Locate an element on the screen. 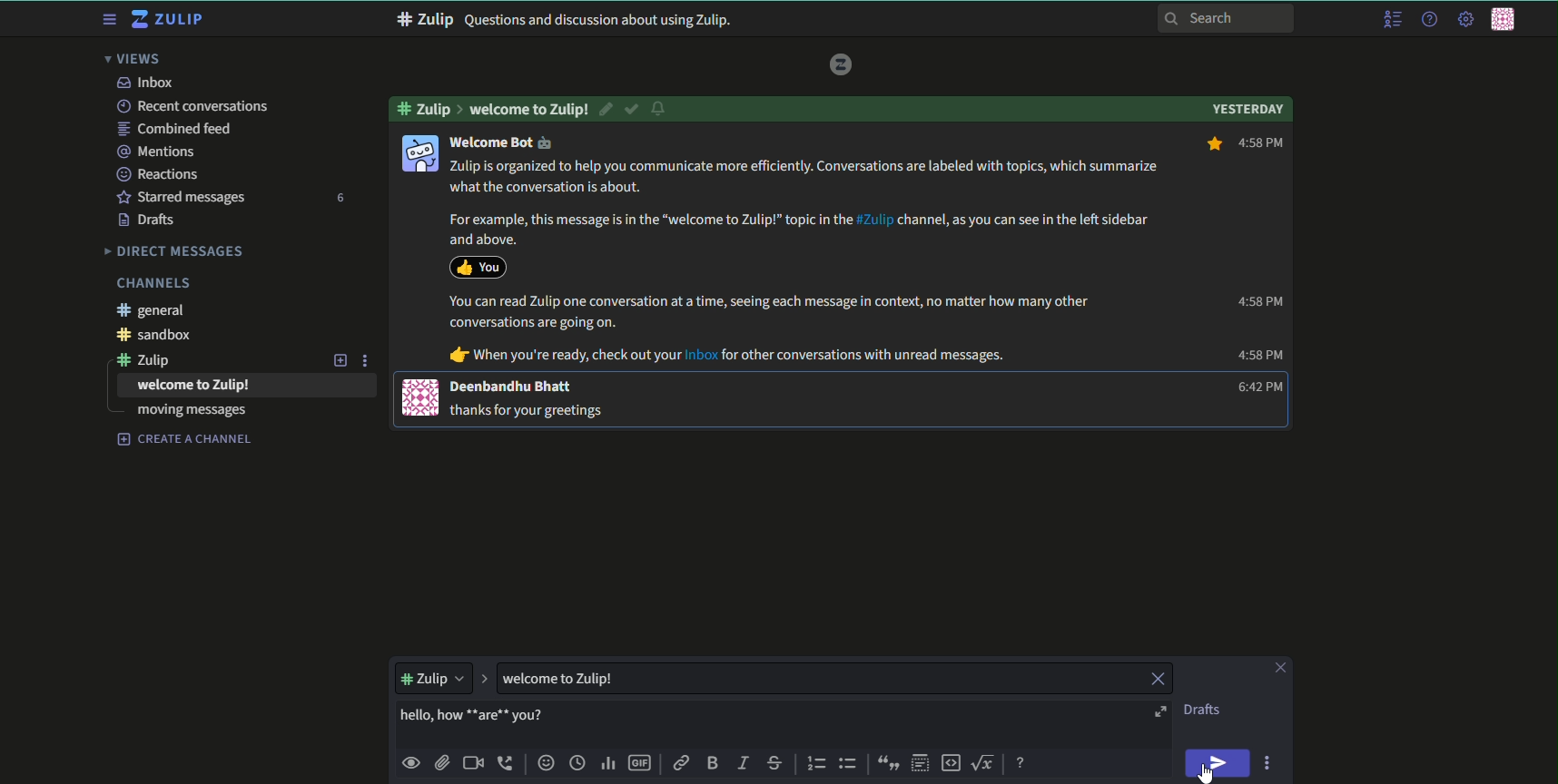 Image resolution: width=1558 pixels, height=784 pixels. resolved is located at coordinates (633, 109).